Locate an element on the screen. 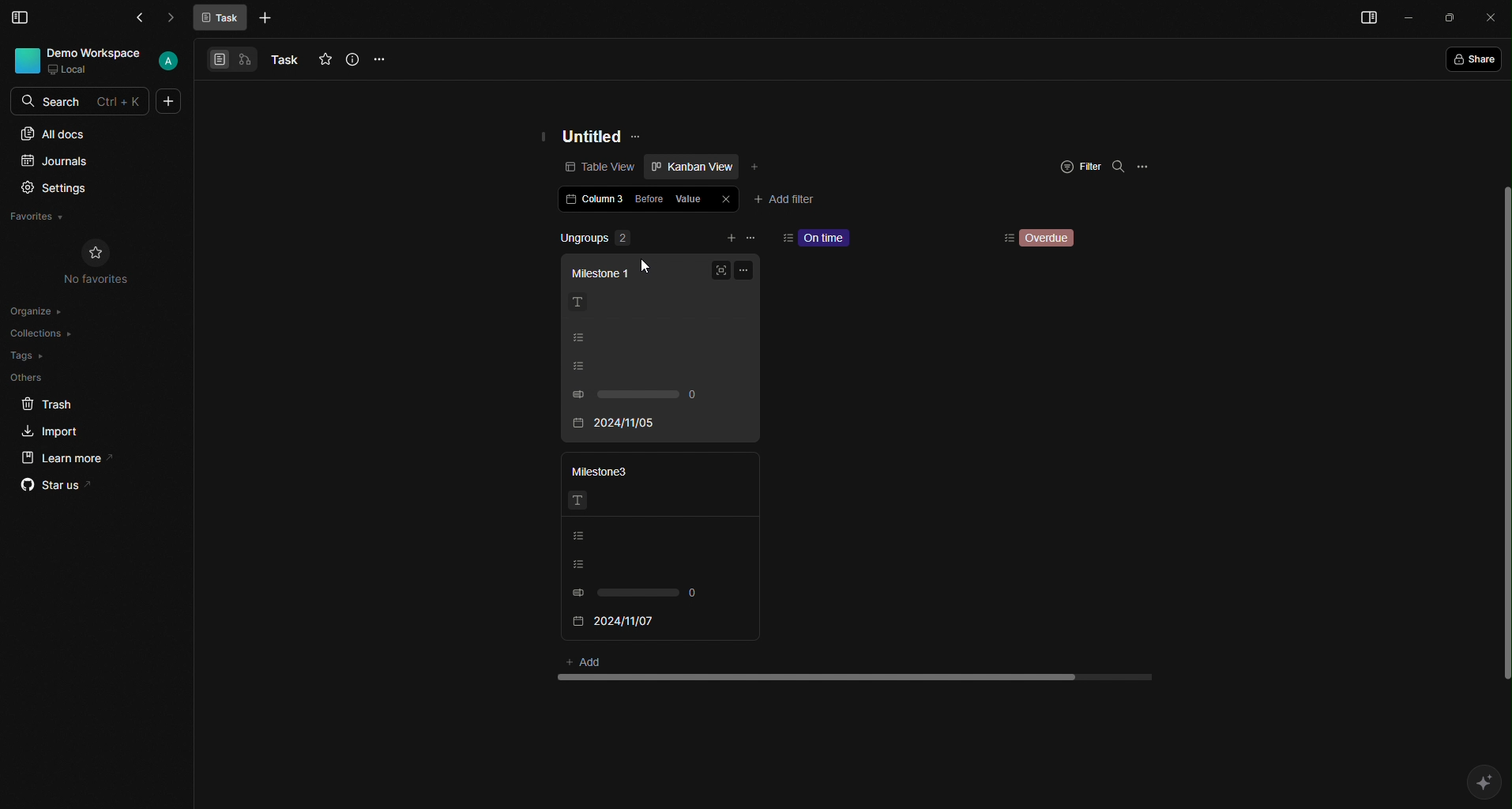  Before is located at coordinates (649, 198).